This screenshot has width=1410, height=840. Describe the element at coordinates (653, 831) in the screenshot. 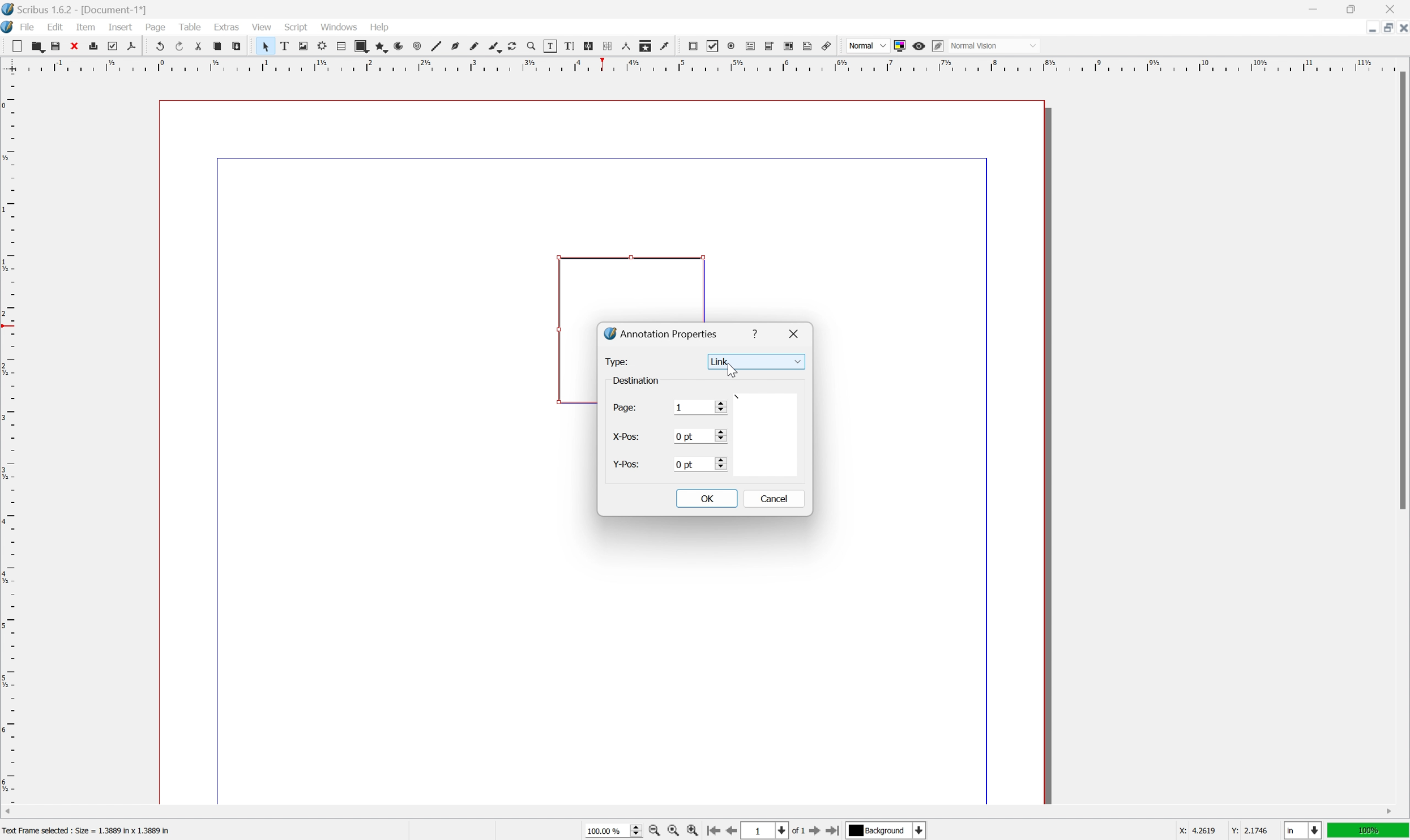

I see `zoom out` at that location.